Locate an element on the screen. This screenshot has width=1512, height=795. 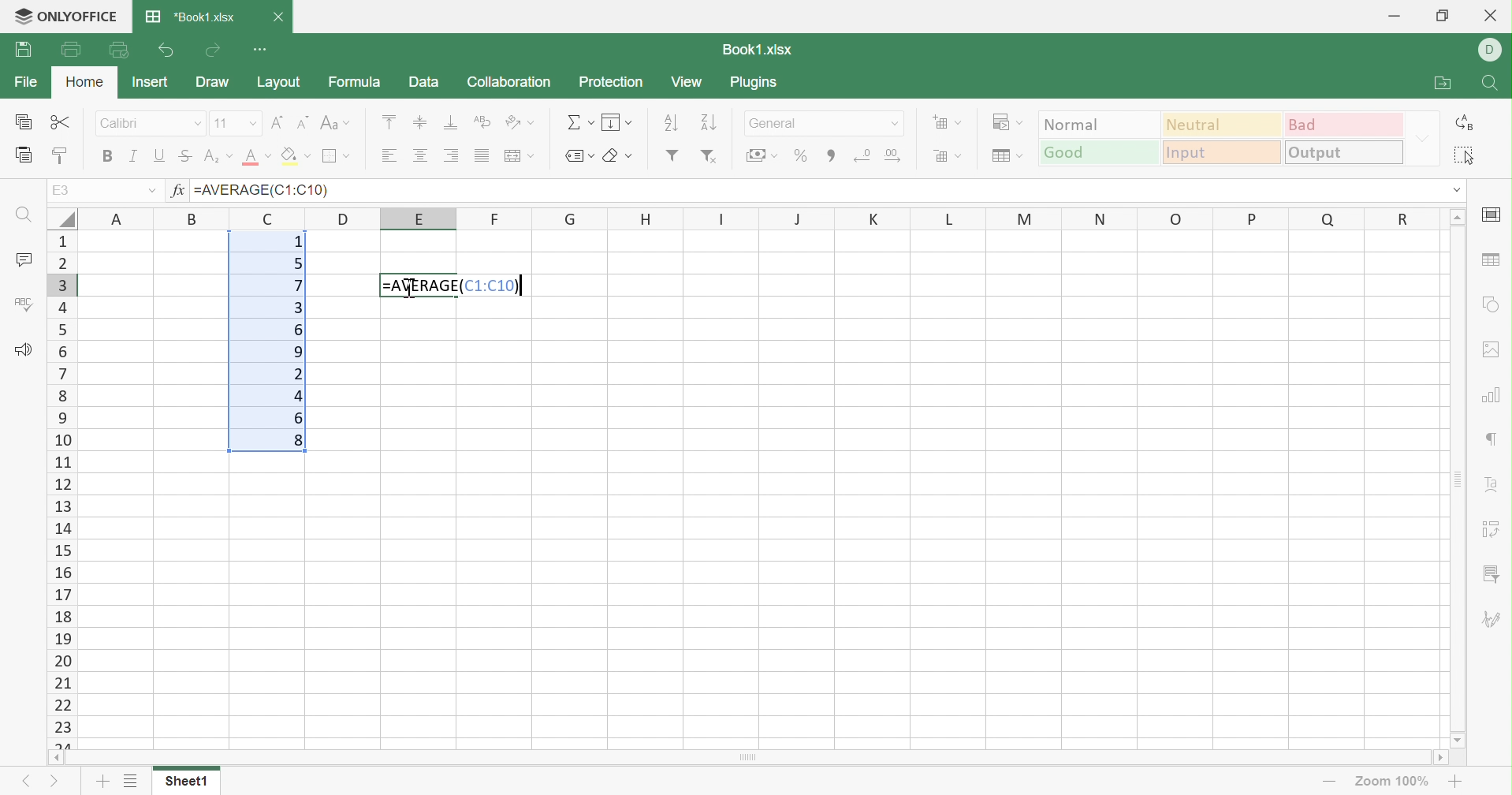
=AVERAGE(C1:C10) is located at coordinates (455, 285).